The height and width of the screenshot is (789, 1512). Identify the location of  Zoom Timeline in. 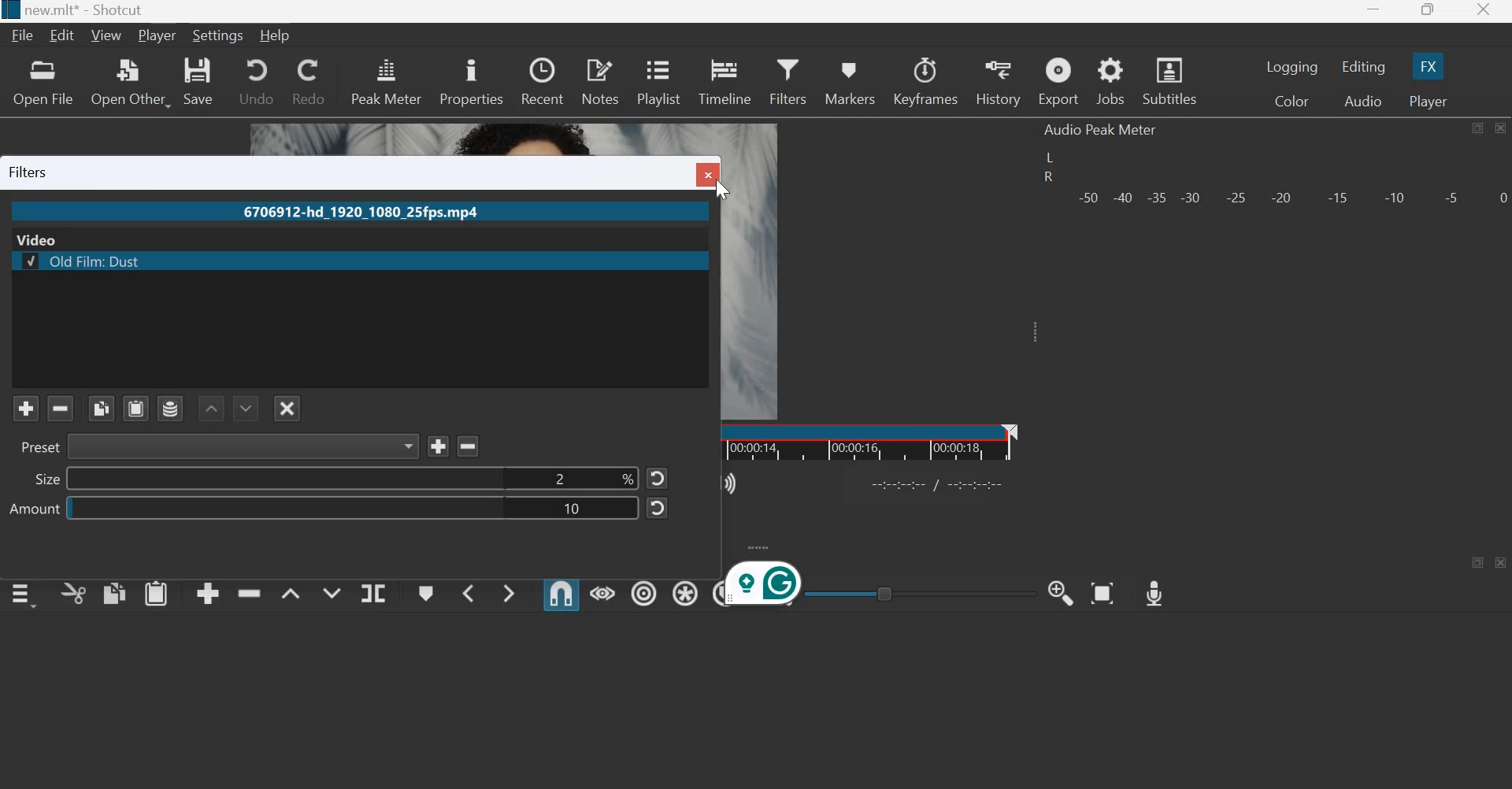
(1060, 591).